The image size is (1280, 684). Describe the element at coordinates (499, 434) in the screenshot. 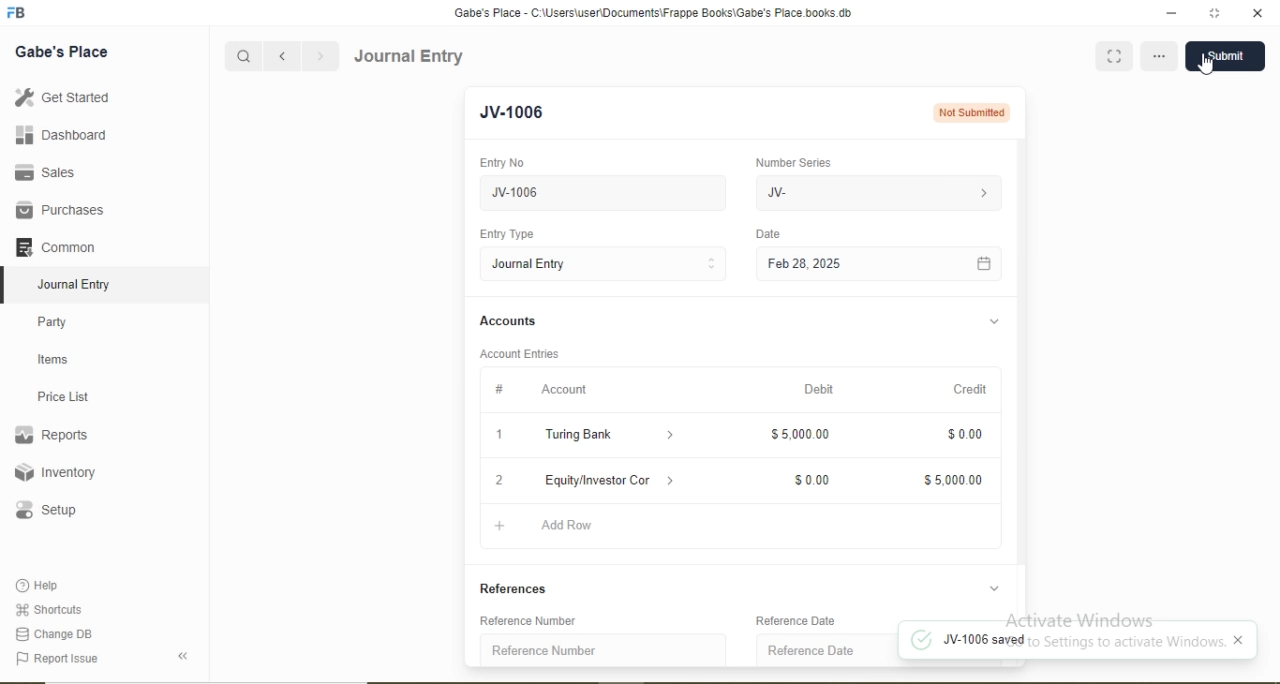

I see `1` at that location.